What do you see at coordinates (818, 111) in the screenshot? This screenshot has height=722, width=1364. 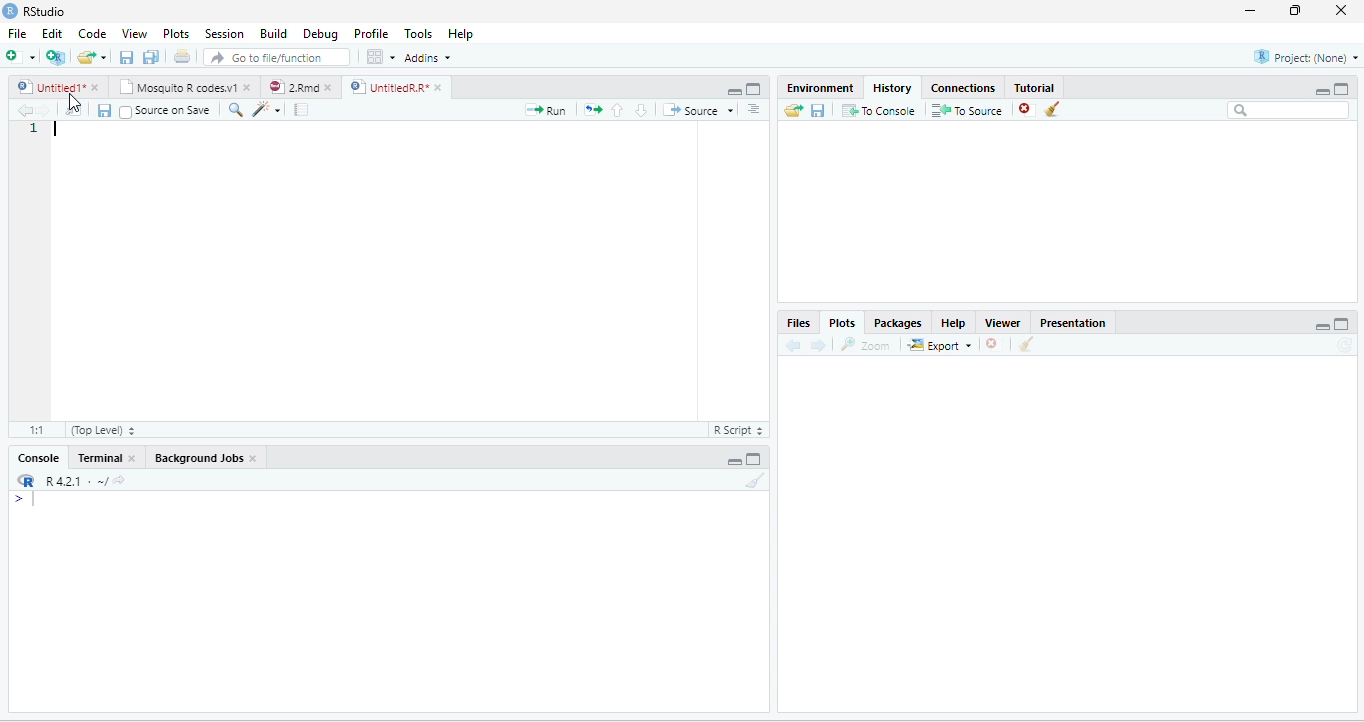 I see `Save history into a file` at bounding box center [818, 111].